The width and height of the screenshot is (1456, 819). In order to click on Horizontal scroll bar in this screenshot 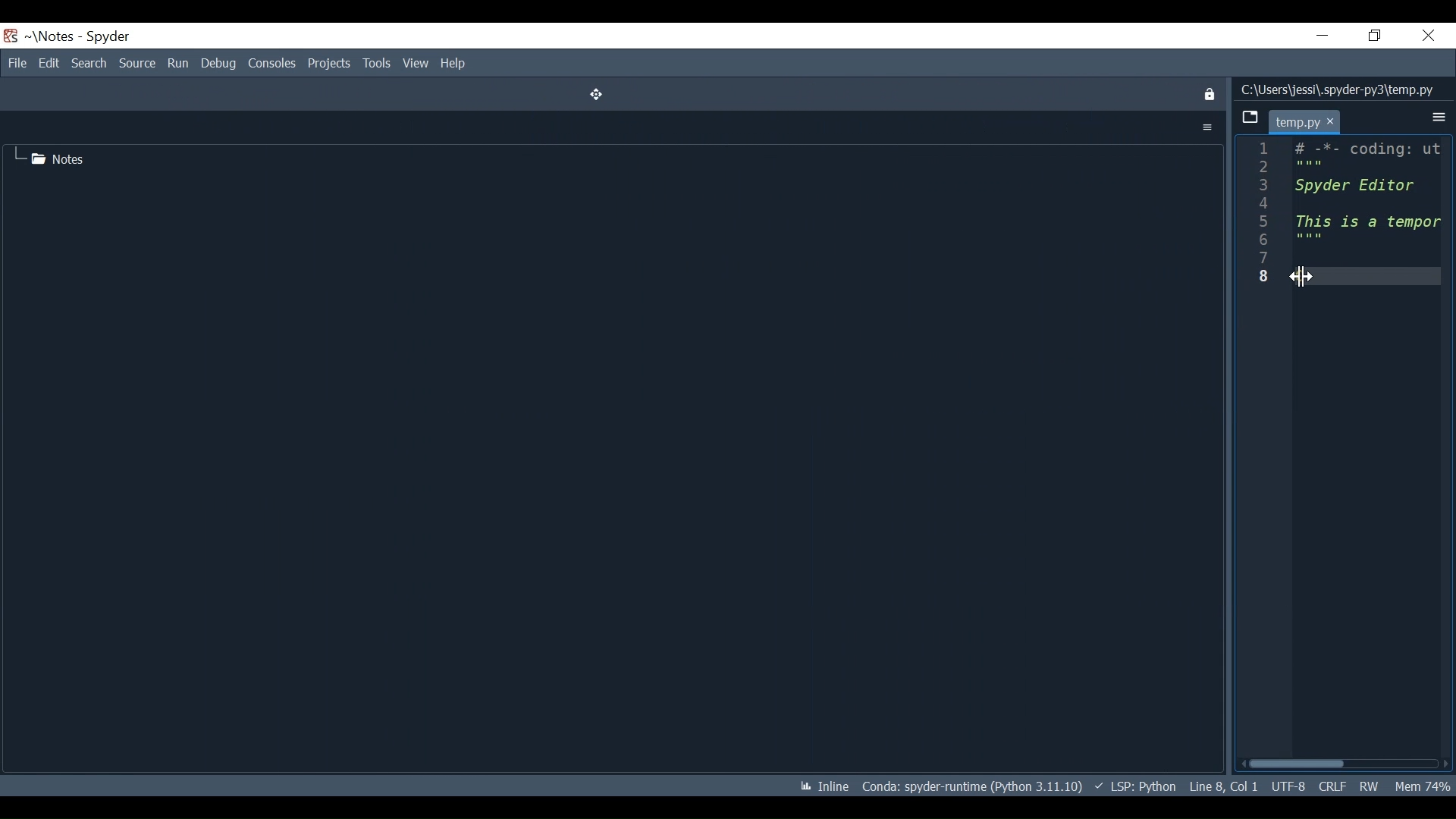, I will do `click(1344, 762)`.